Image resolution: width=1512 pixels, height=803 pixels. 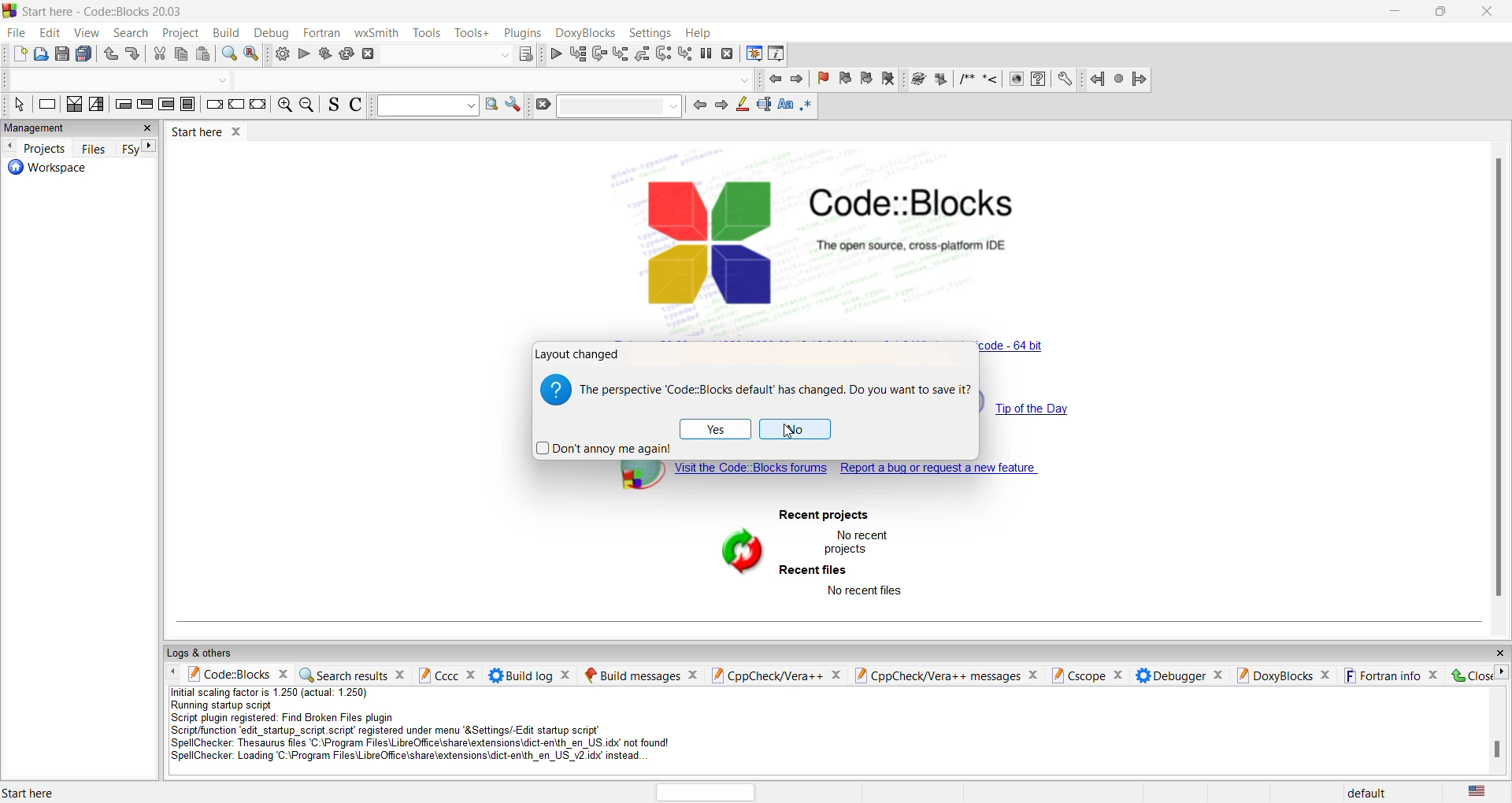 I want to click on pause debugging, so click(x=706, y=53).